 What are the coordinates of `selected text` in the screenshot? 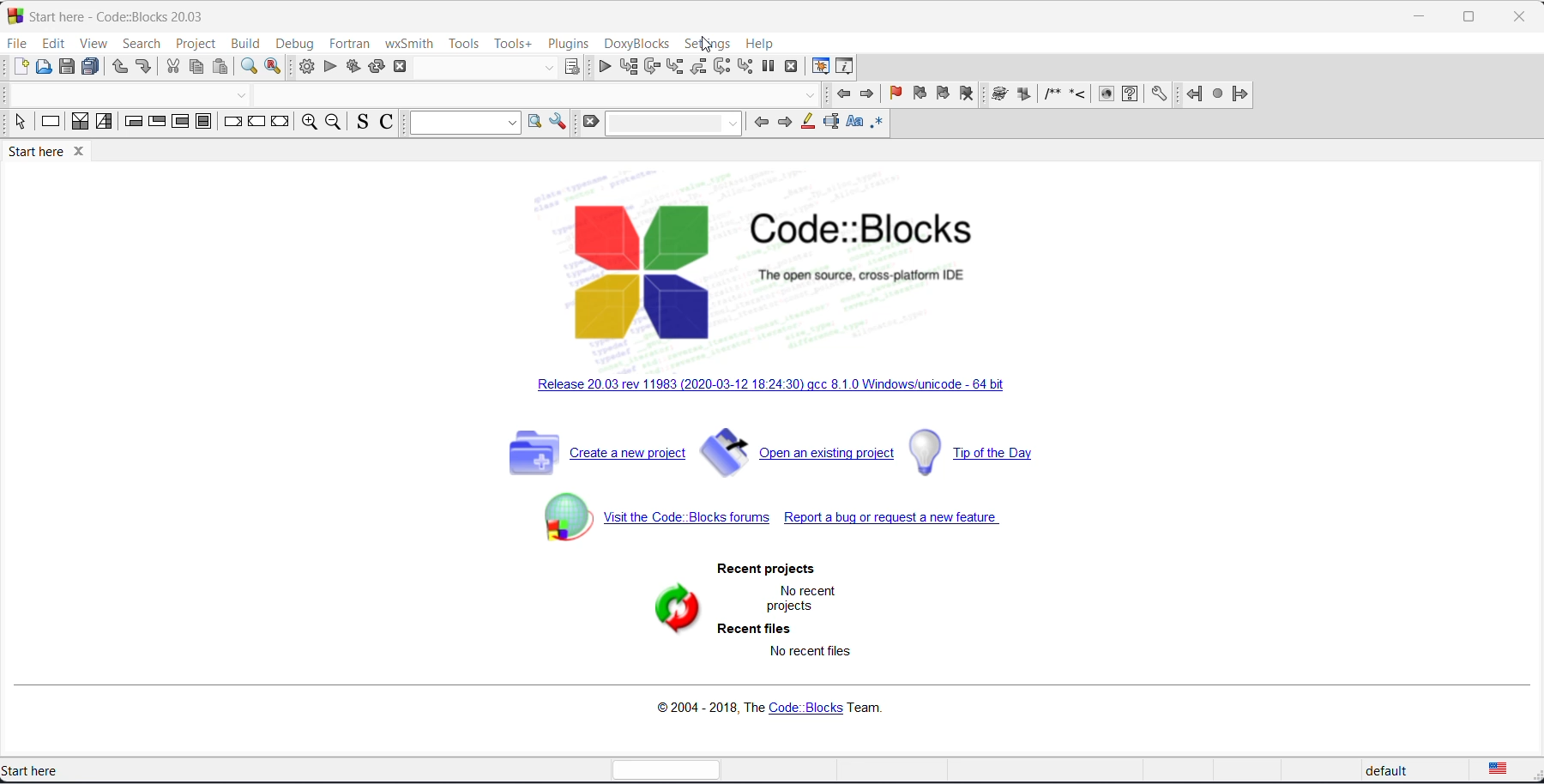 It's located at (831, 122).